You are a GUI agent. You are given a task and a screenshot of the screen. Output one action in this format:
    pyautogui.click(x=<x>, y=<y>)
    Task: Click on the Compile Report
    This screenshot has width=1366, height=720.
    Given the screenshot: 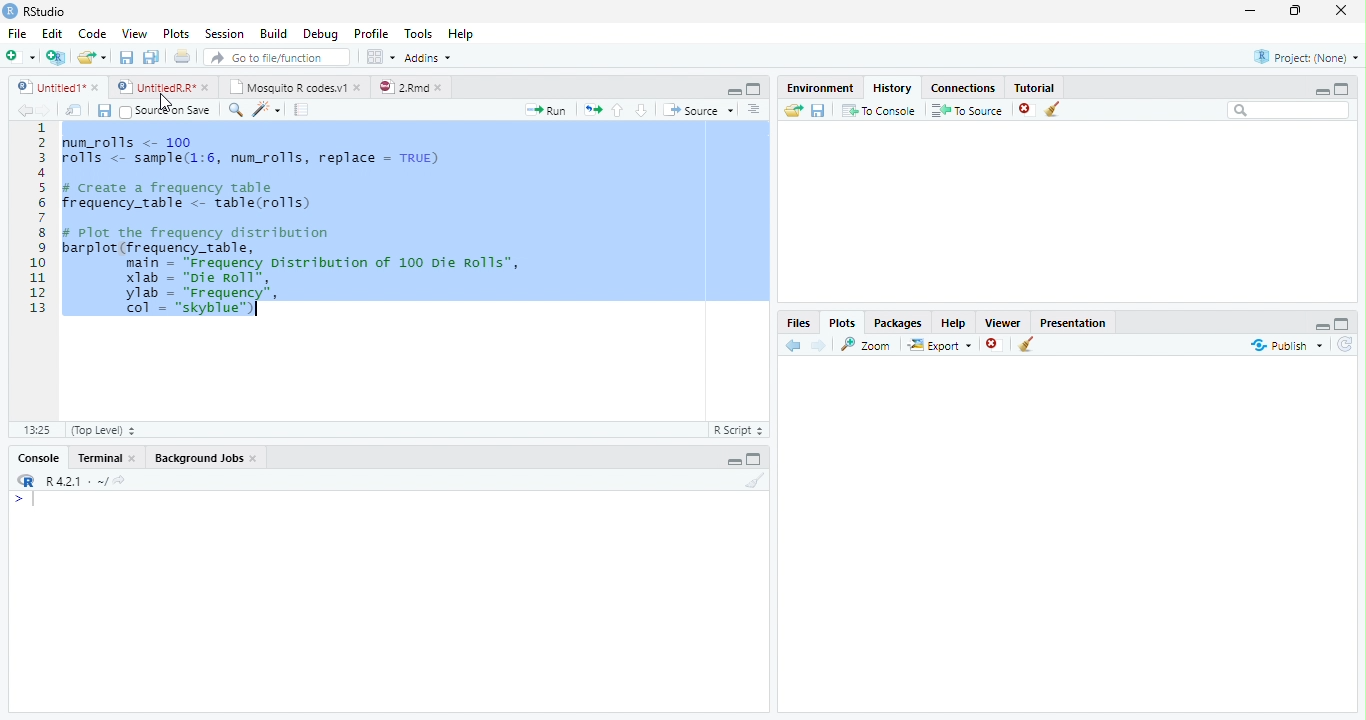 What is the action you would take?
    pyautogui.click(x=303, y=109)
    